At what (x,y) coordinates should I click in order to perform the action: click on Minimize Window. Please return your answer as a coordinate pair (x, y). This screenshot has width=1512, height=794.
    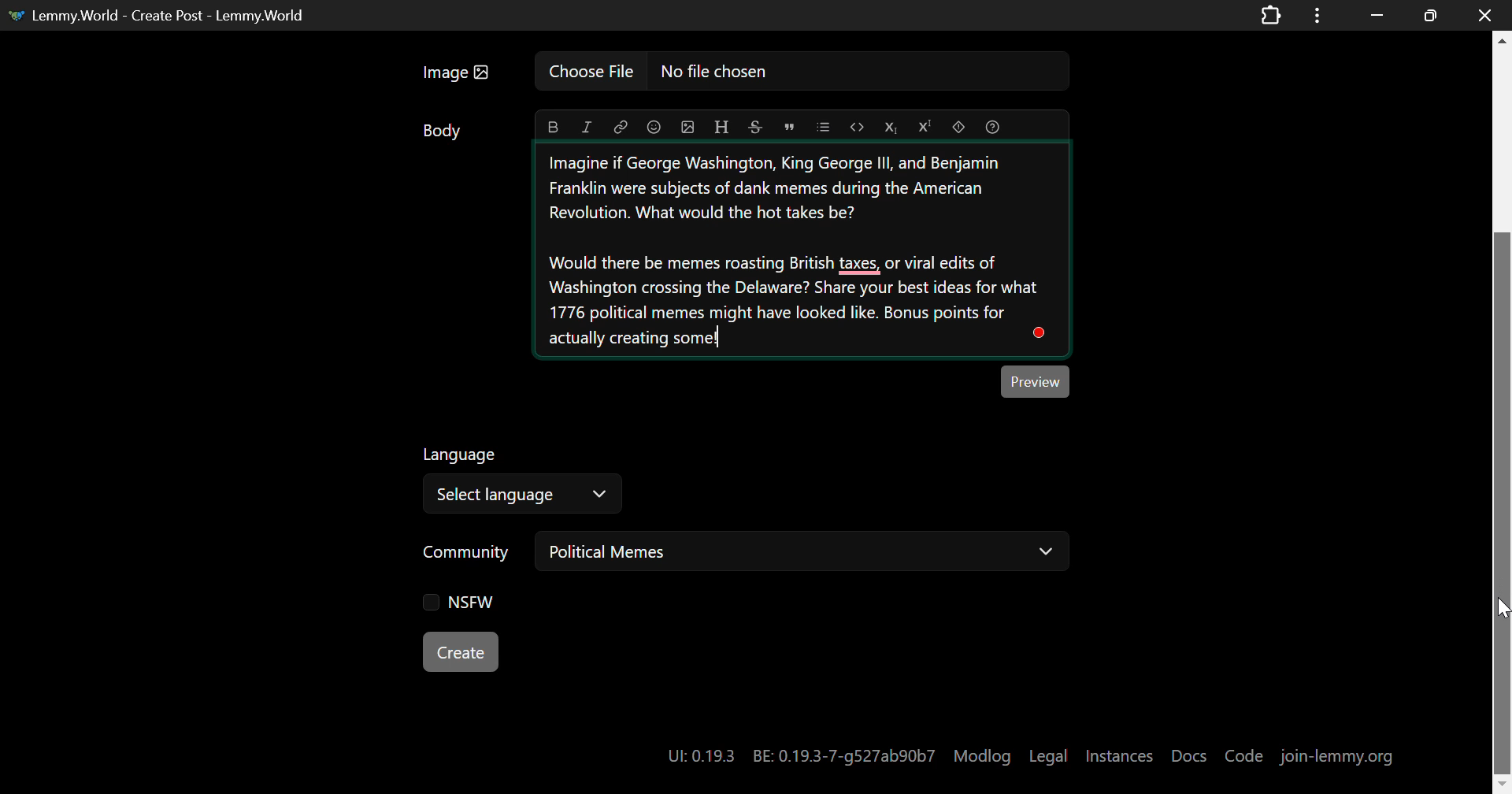
    Looking at the image, I should click on (1428, 16).